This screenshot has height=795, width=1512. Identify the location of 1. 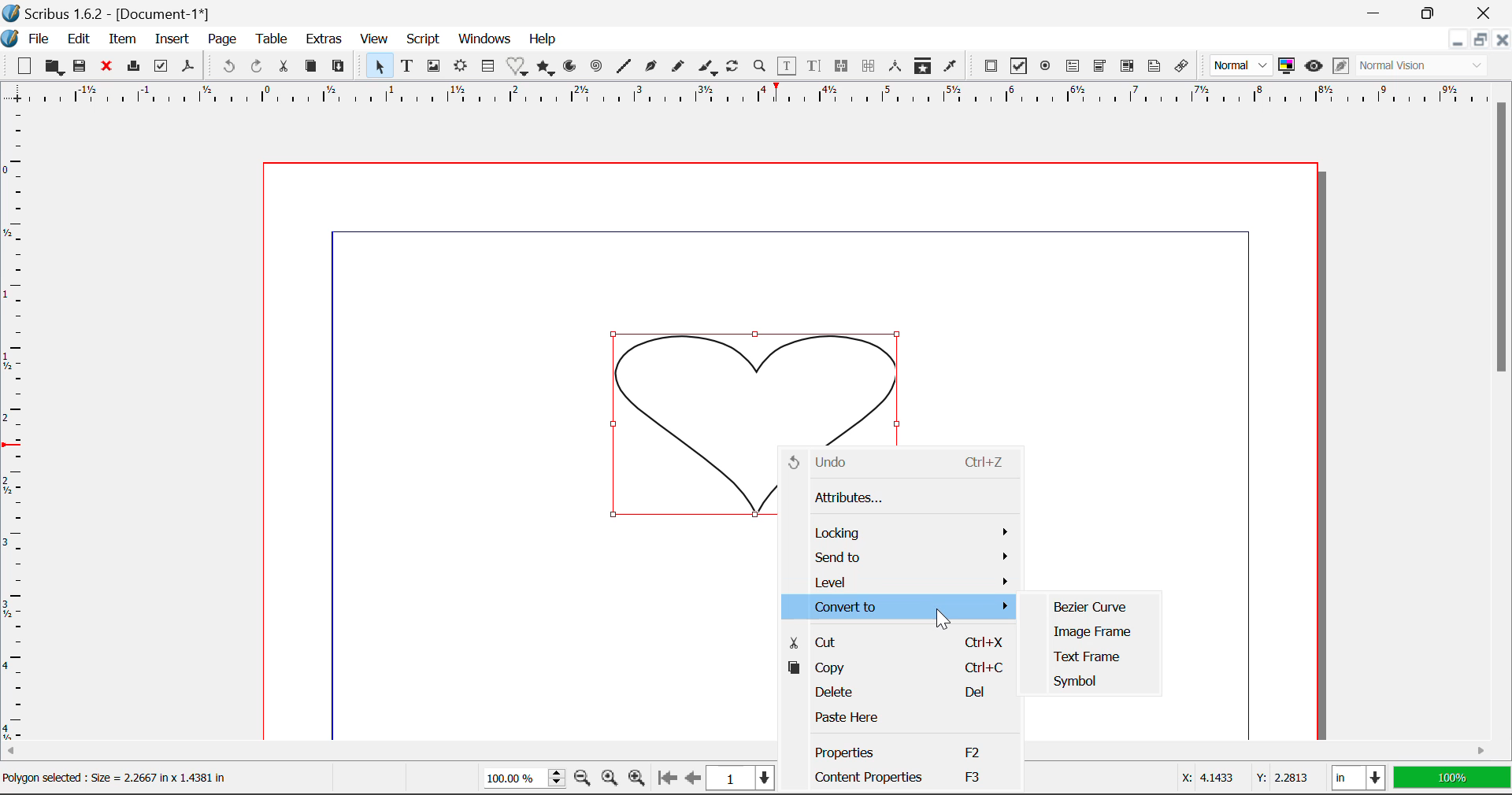
(740, 779).